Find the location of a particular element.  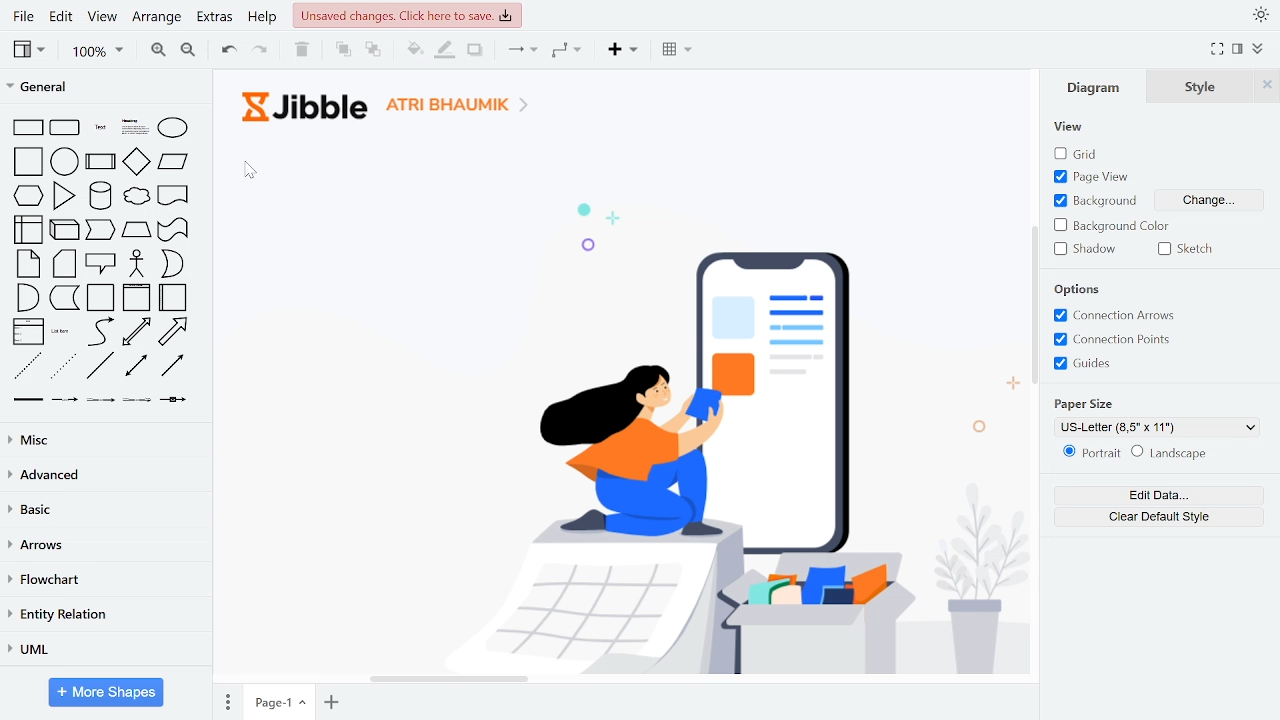

general shapes is located at coordinates (101, 401).